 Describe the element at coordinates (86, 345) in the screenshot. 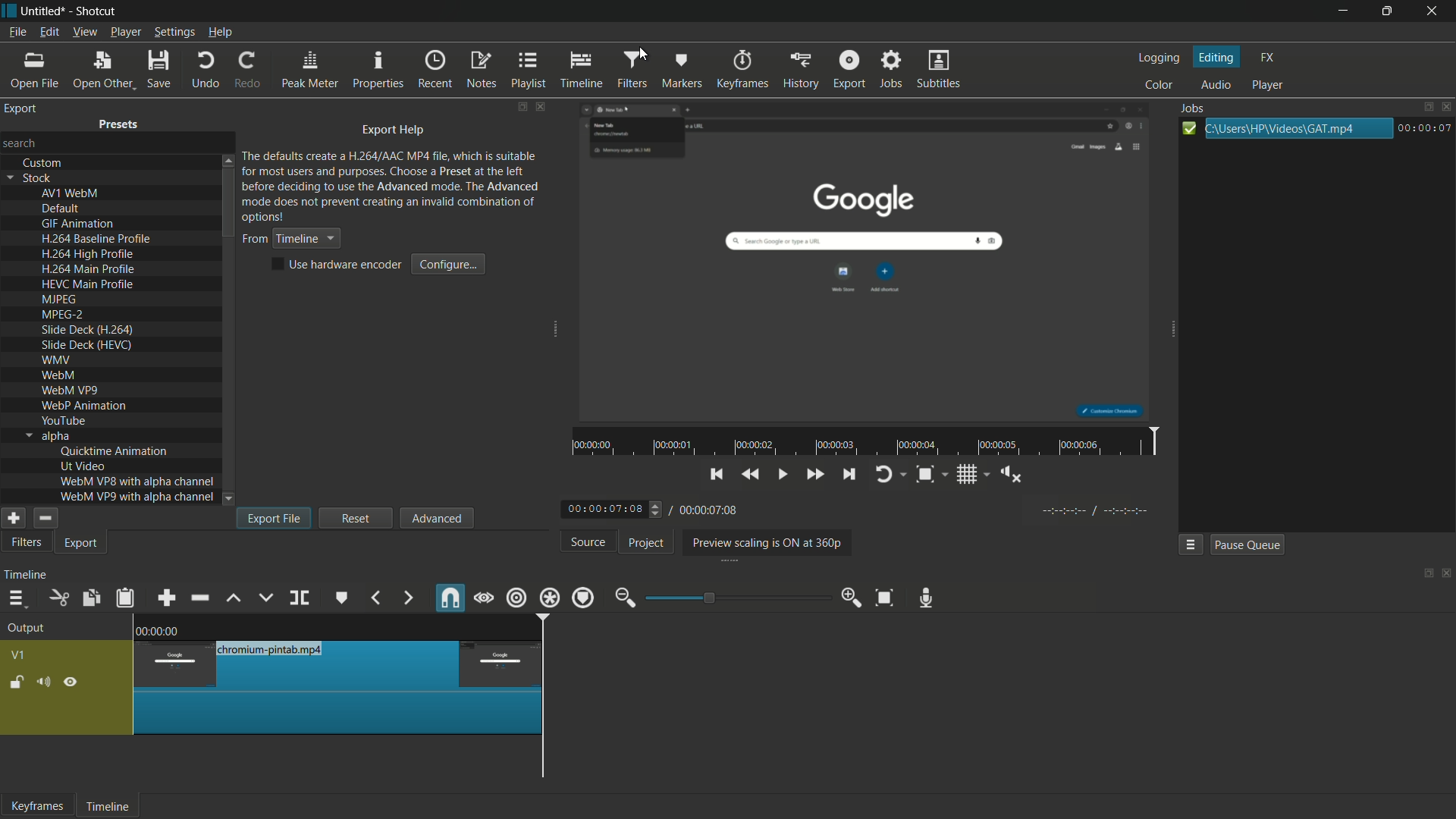

I see `Slide Deck (HEVC)` at that location.